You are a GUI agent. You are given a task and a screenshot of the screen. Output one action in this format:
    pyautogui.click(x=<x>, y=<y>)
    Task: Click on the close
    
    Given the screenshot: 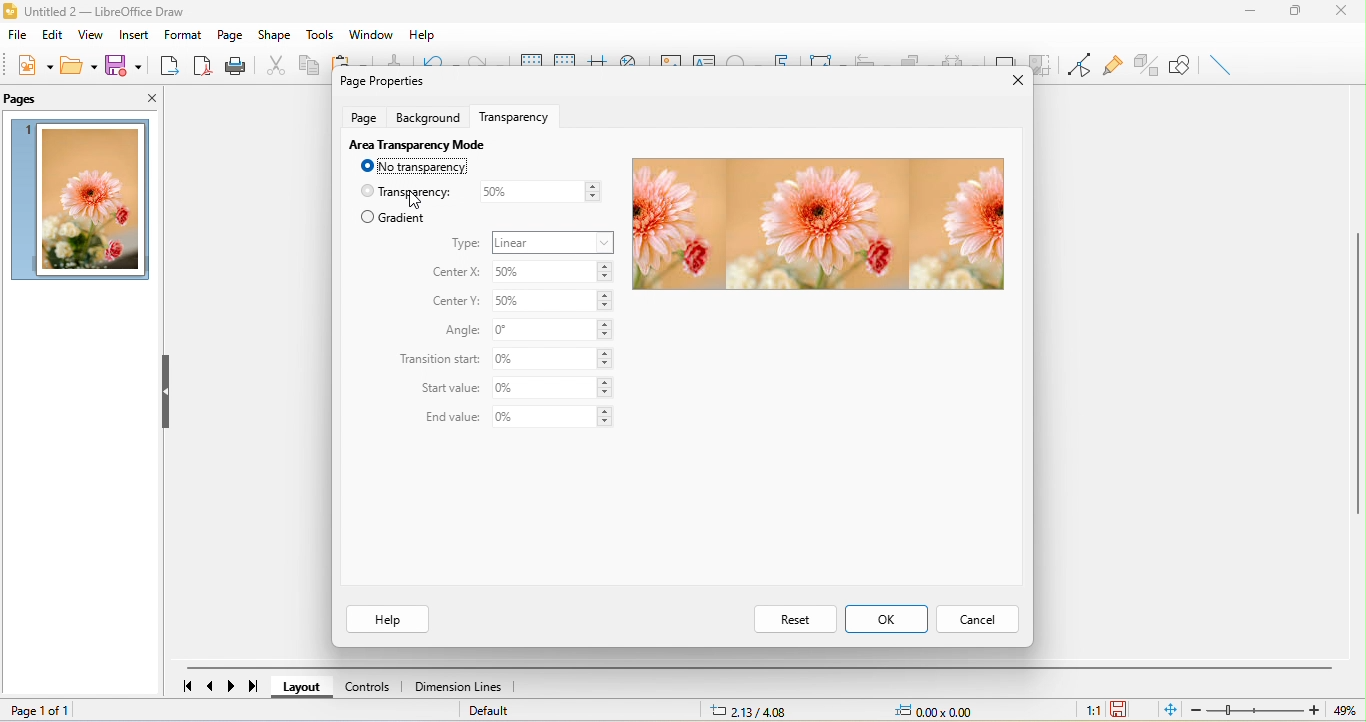 What is the action you would take?
    pyautogui.click(x=1346, y=14)
    